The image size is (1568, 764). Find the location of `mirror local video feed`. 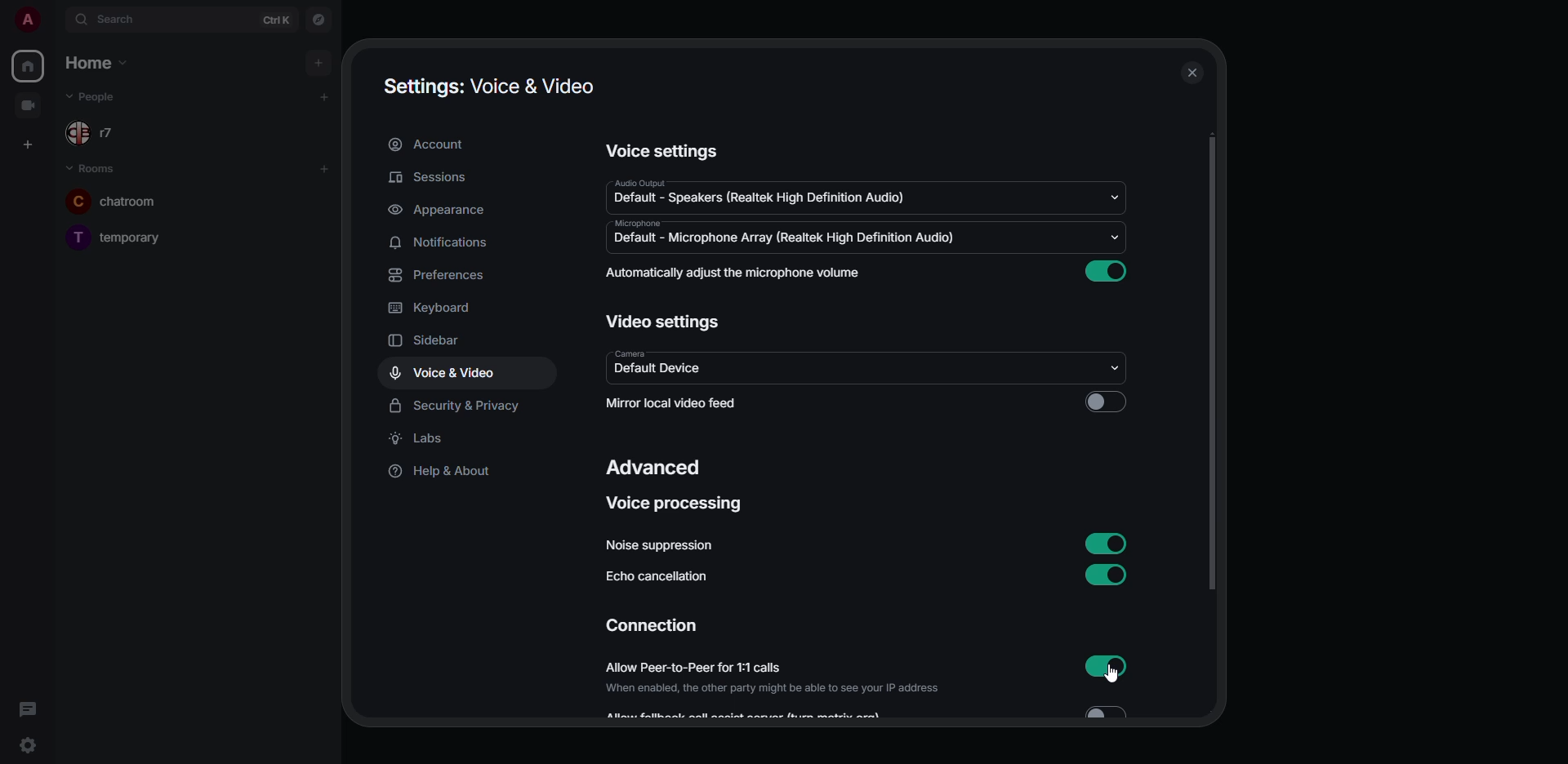

mirror local video feed is located at coordinates (668, 402).